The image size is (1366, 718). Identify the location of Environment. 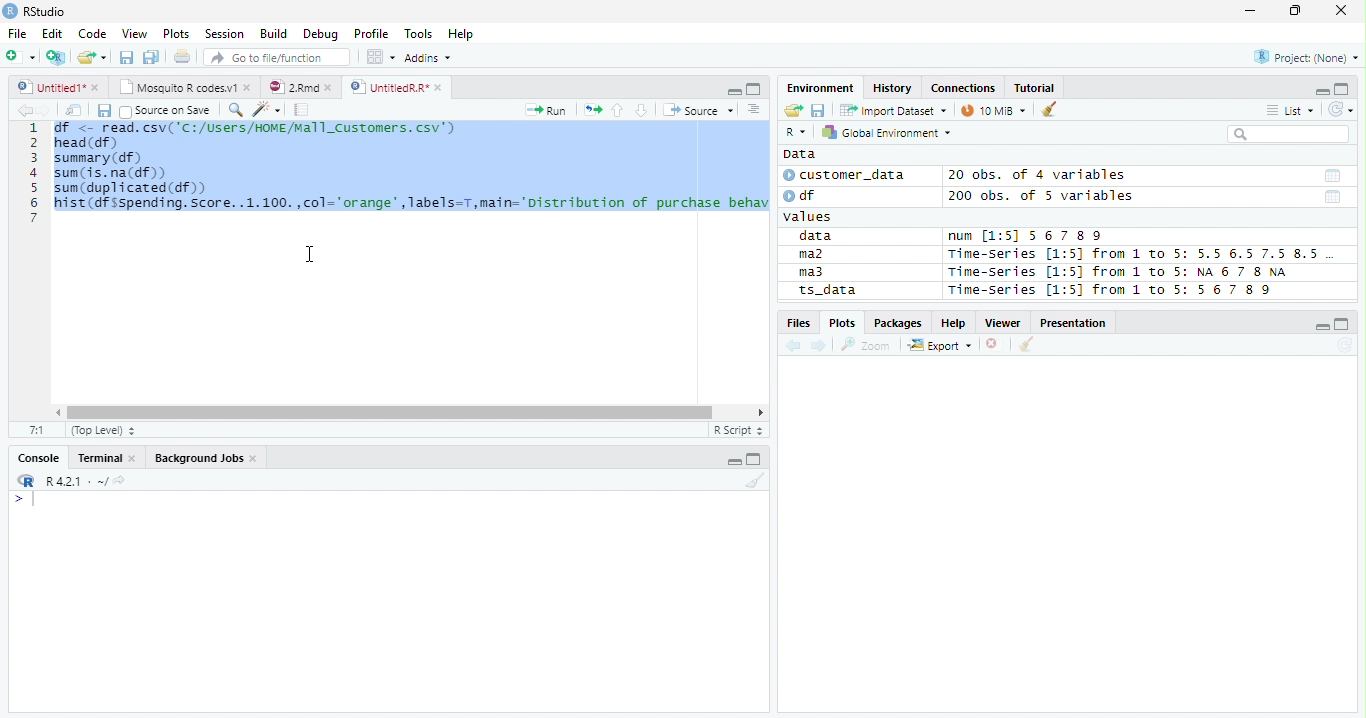
(822, 88).